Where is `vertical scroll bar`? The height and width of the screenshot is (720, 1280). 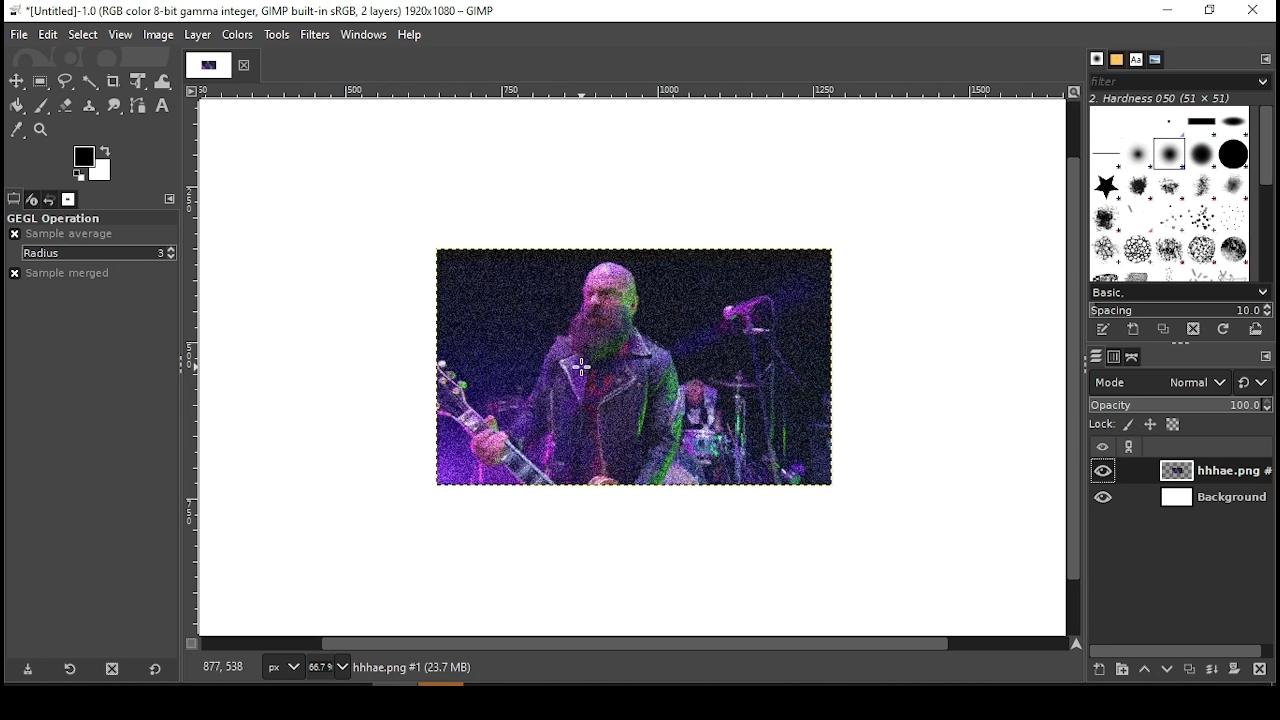 vertical scroll bar is located at coordinates (1075, 369).